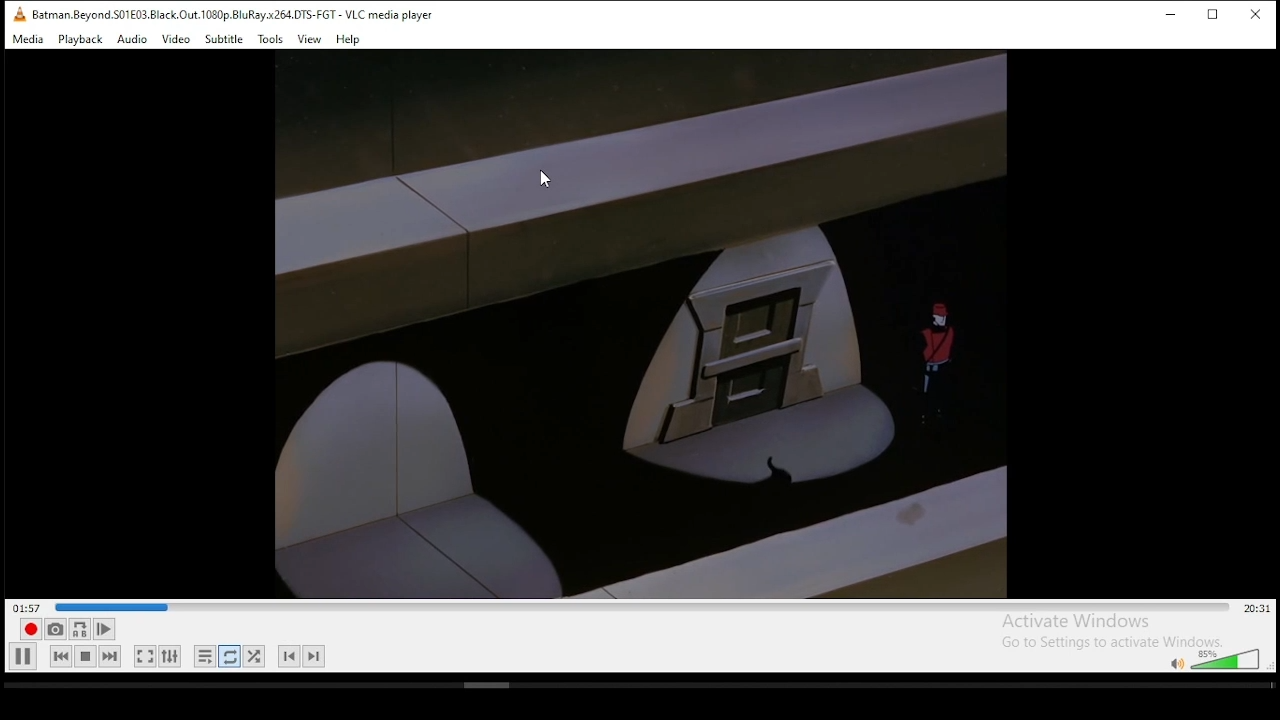  What do you see at coordinates (254, 656) in the screenshot?
I see `random` at bounding box center [254, 656].